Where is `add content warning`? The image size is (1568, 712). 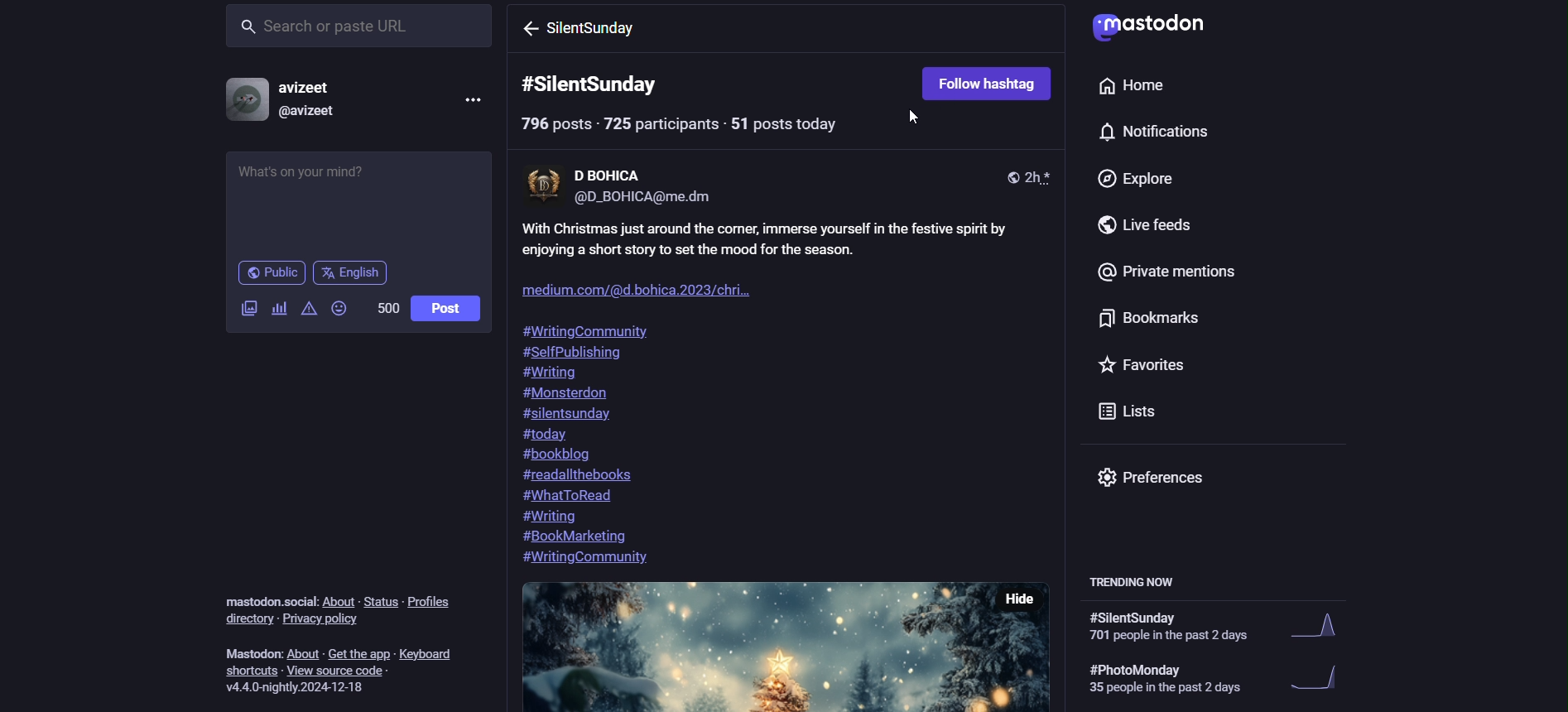 add content warning is located at coordinates (310, 307).